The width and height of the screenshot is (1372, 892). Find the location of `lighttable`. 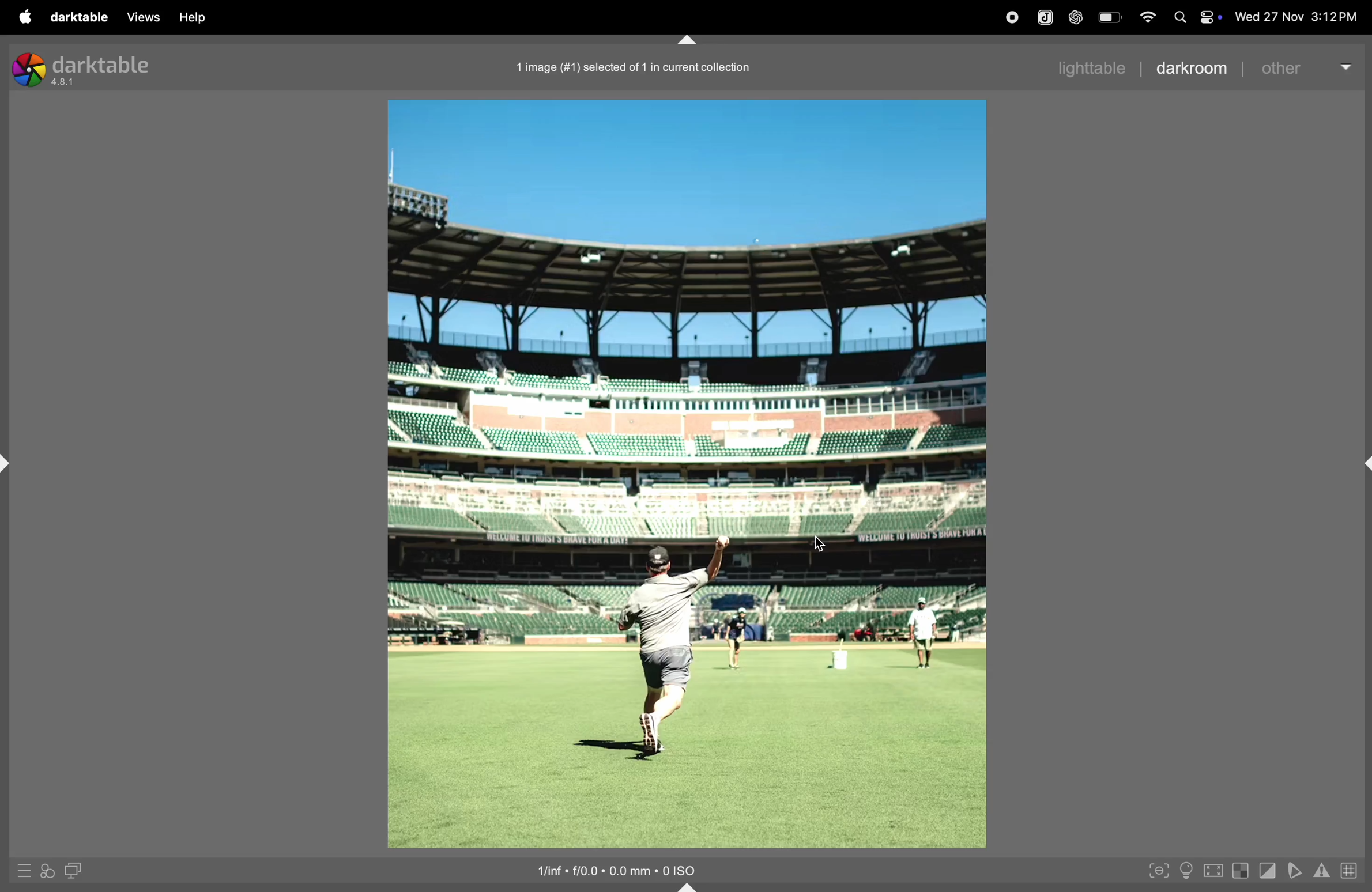

lighttable is located at coordinates (1088, 67).